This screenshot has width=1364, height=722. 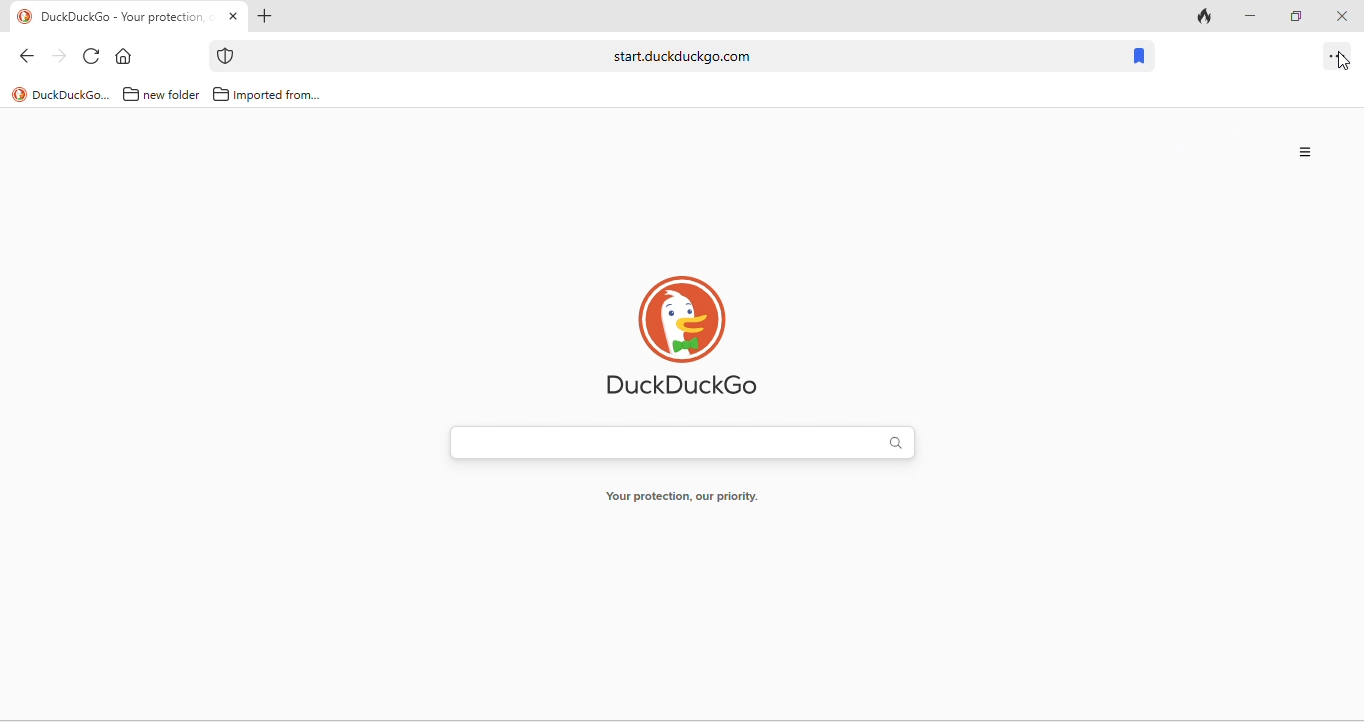 What do you see at coordinates (72, 96) in the screenshot?
I see `duckduckgo...` at bounding box center [72, 96].